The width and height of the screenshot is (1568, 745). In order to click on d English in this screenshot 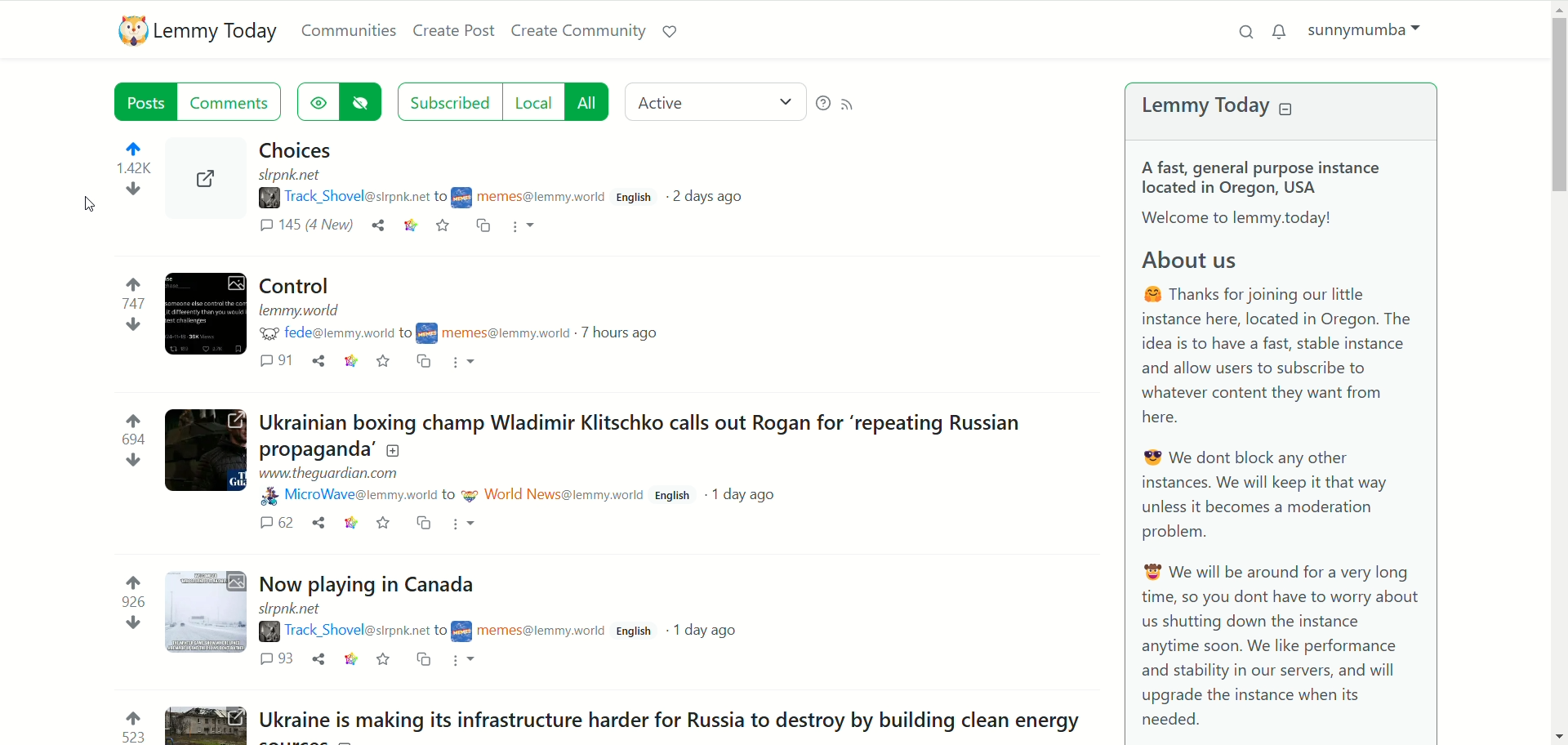, I will do `click(675, 497)`.